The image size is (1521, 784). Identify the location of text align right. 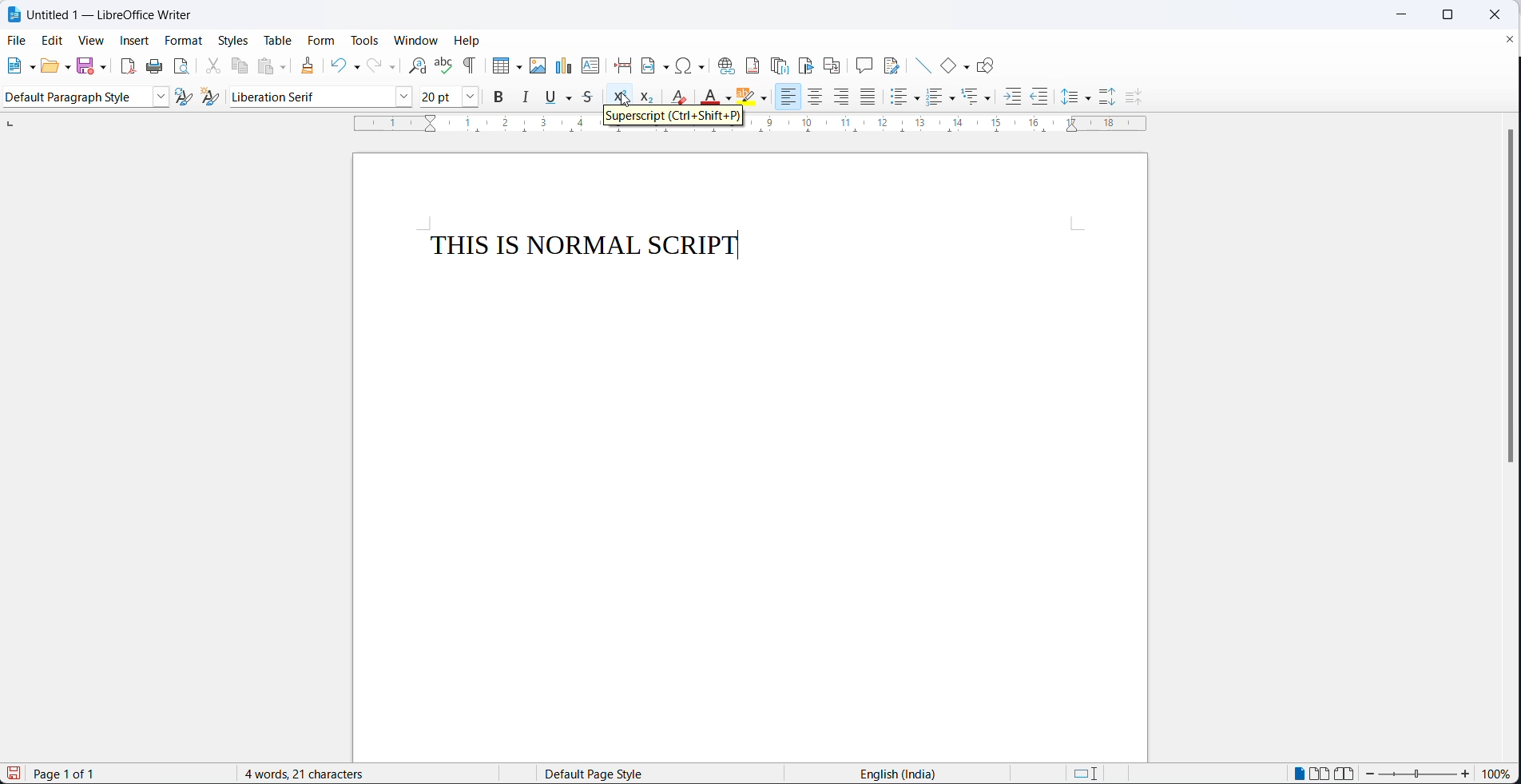
(844, 97).